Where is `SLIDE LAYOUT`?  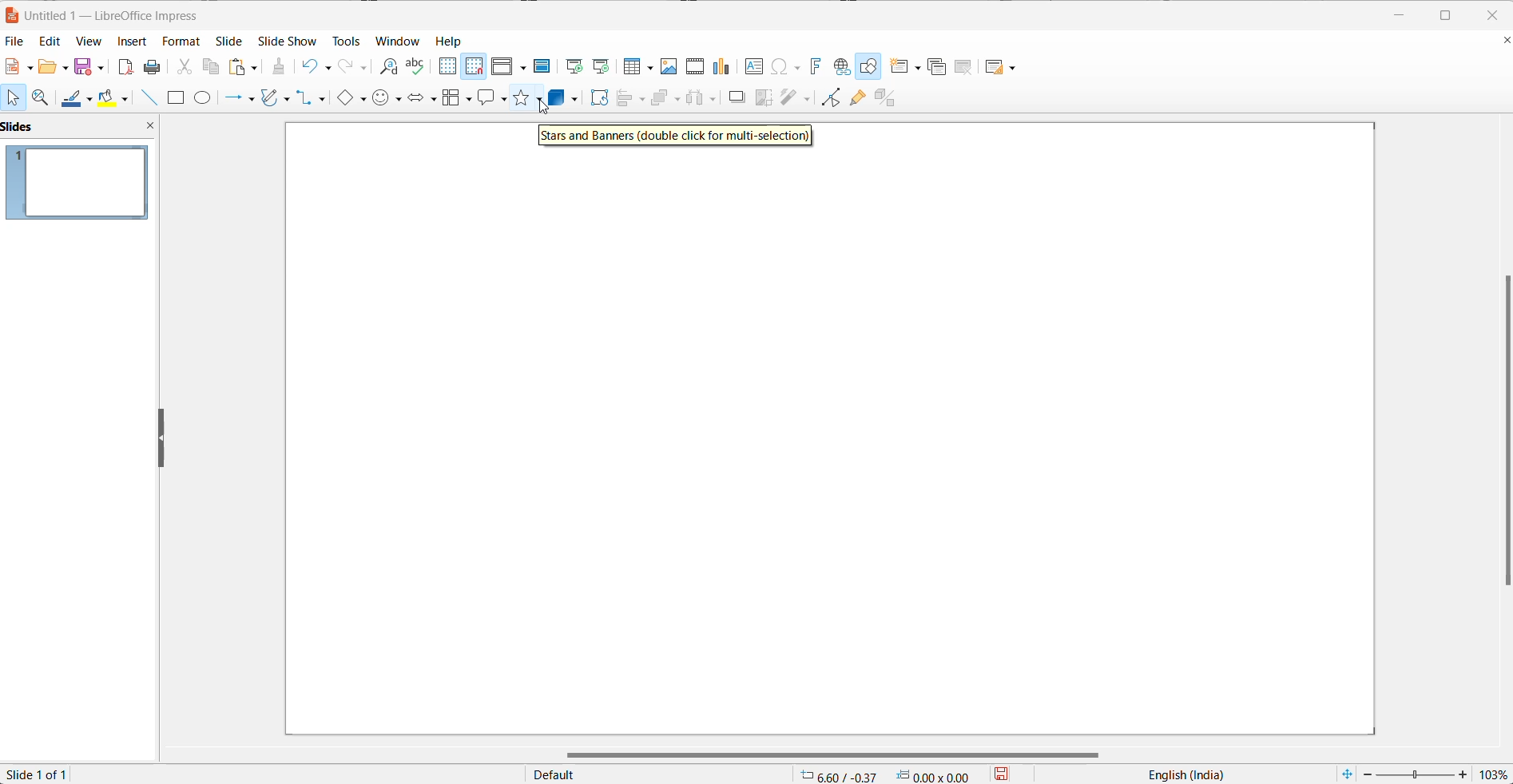 SLIDE LAYOUT is located at coordinates (1001, 66).